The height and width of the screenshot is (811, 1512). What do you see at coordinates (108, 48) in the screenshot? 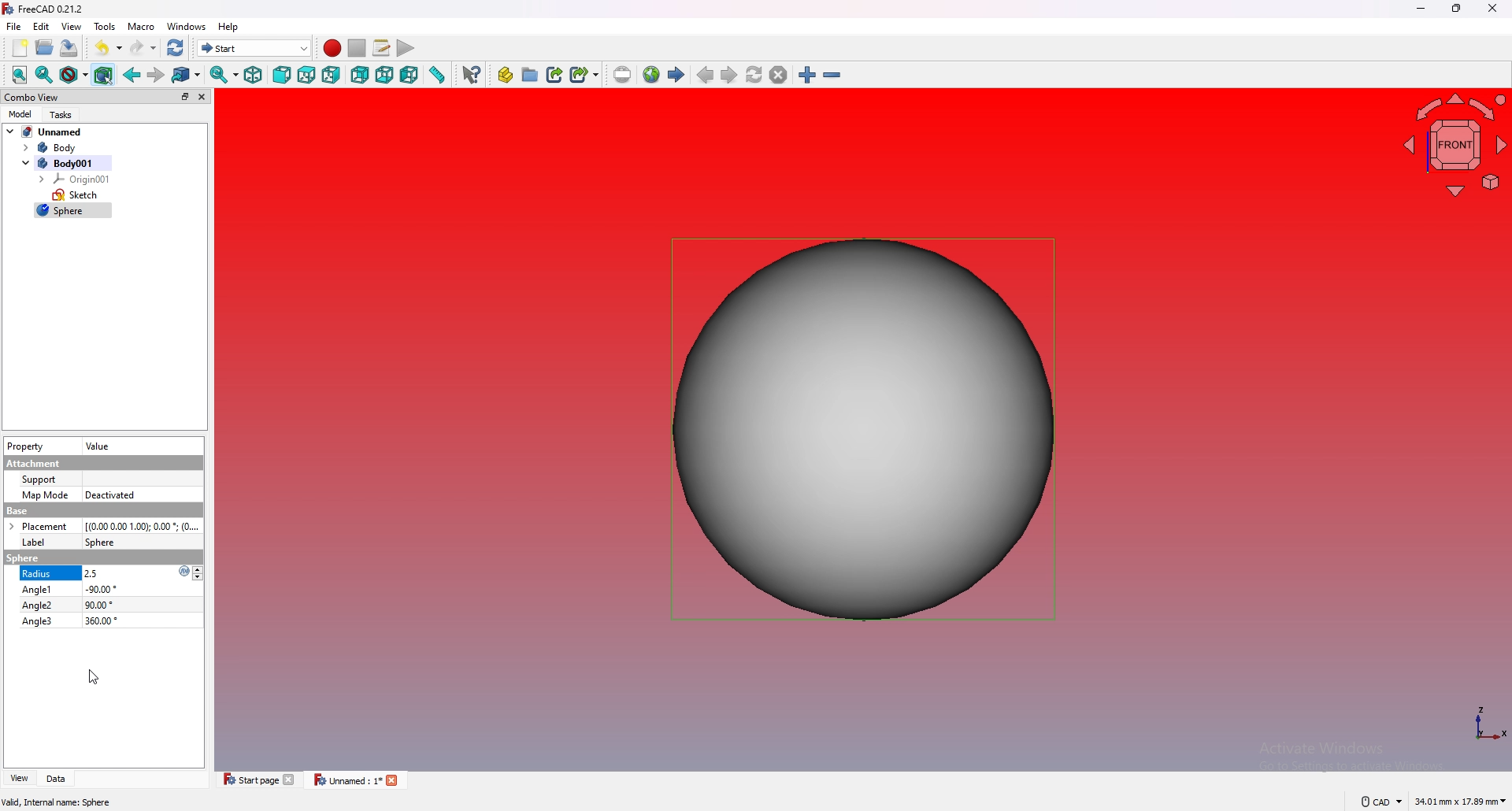
I see `undo` at bounding box center [108, 48].